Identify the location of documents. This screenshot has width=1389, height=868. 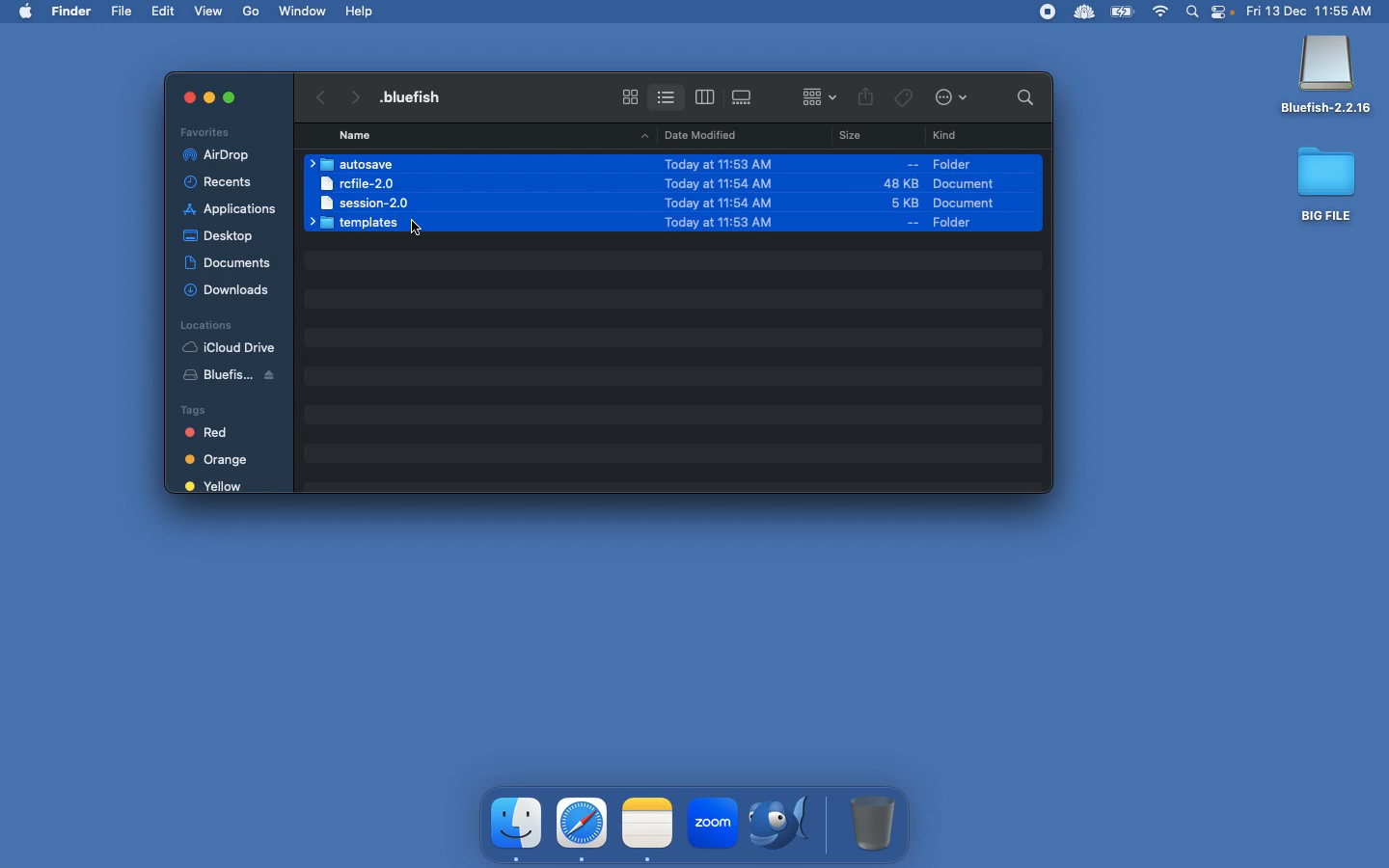
(228, 259).